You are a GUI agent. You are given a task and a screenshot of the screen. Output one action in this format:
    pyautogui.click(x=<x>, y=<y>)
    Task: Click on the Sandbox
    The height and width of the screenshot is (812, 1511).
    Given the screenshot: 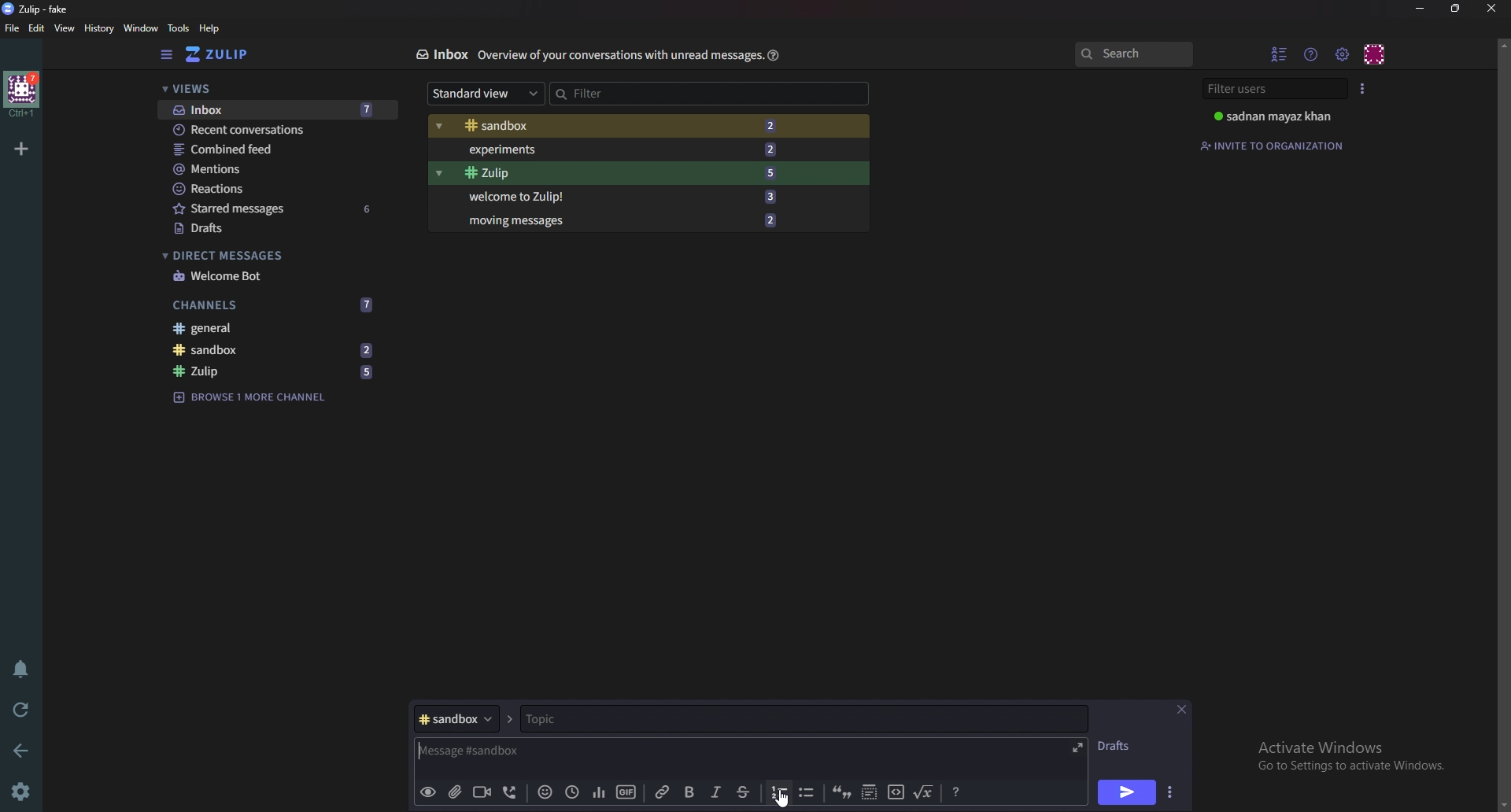 What is the action you would take?
    pyautogui.click(x=622, y=126)
    